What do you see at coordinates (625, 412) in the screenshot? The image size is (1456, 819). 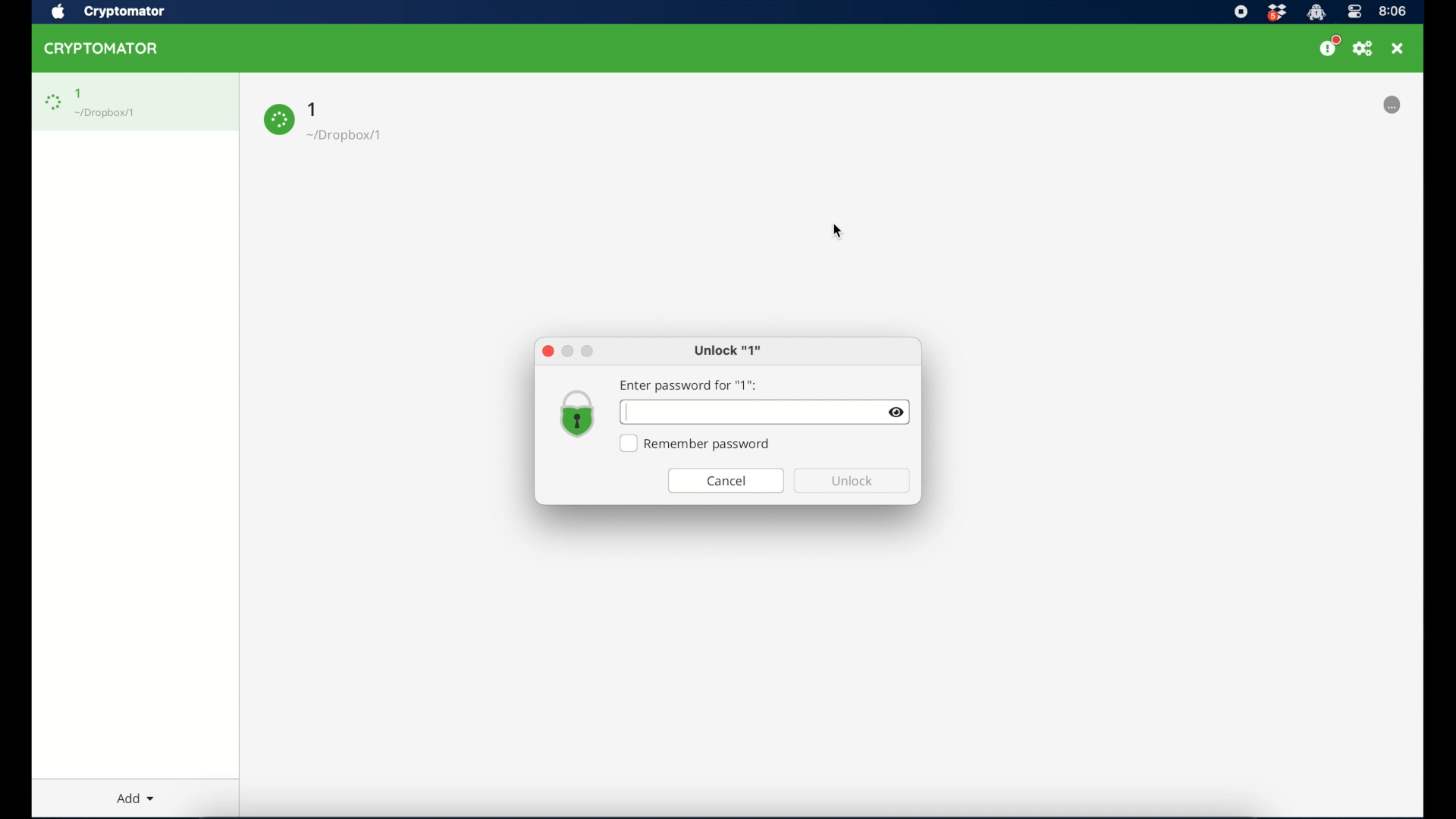 I see `text cursor` at bounding box center [625, 412].